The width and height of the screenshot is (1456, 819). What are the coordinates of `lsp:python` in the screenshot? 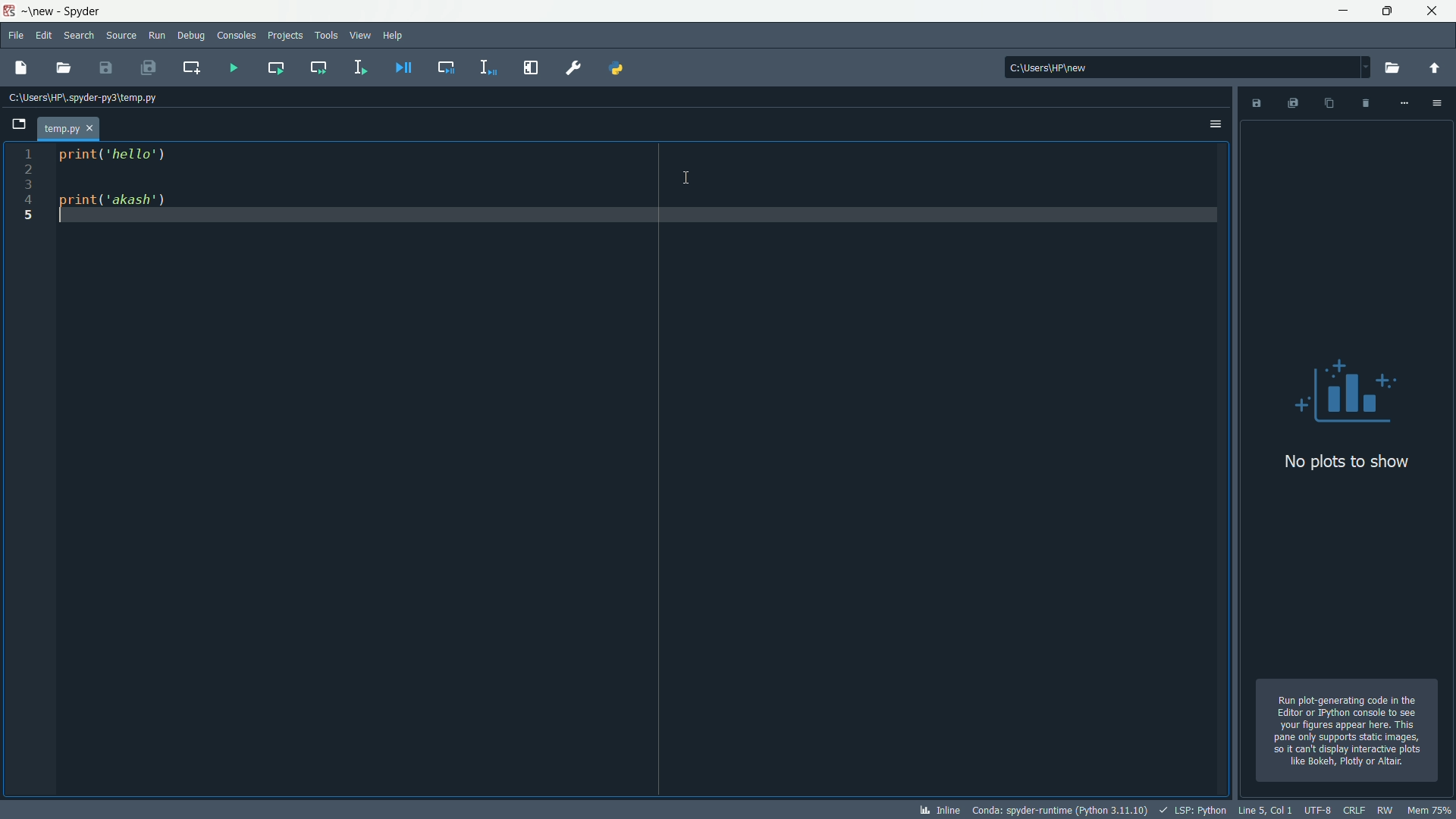 It's located at (1194, 811).